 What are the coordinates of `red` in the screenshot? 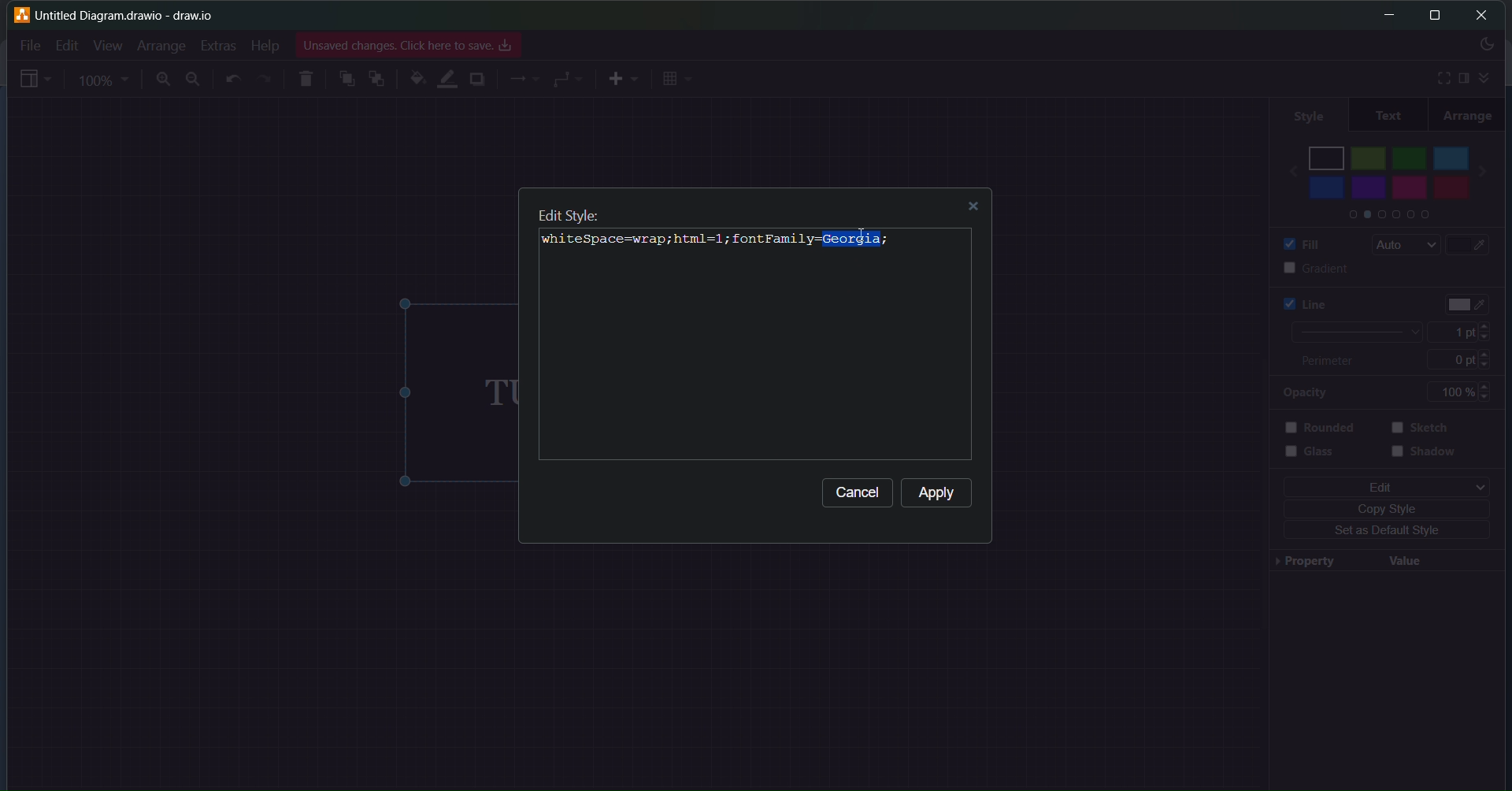 It's located at (1449, 189).